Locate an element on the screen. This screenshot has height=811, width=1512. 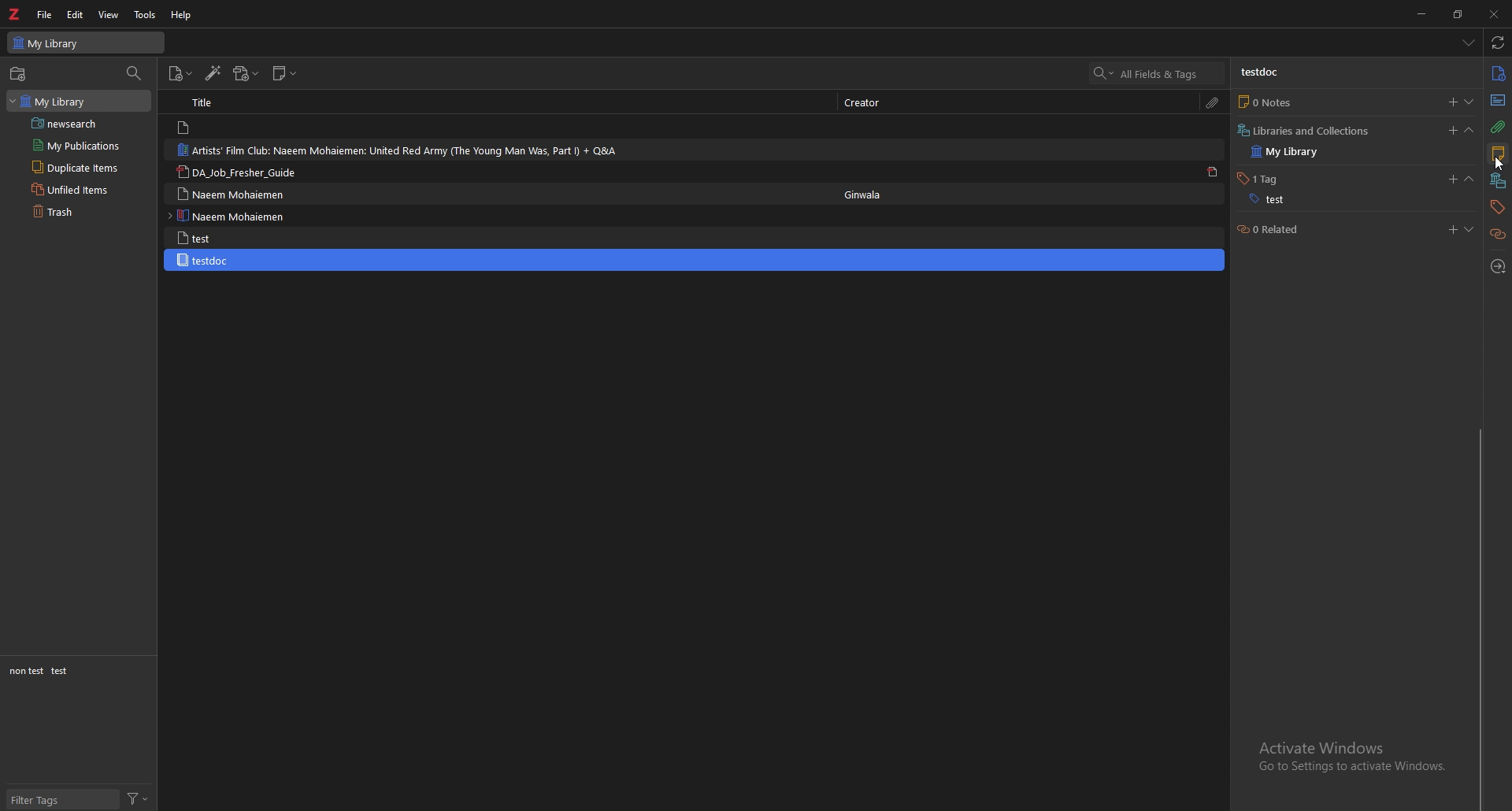
file is located at coordinates (46, 14).